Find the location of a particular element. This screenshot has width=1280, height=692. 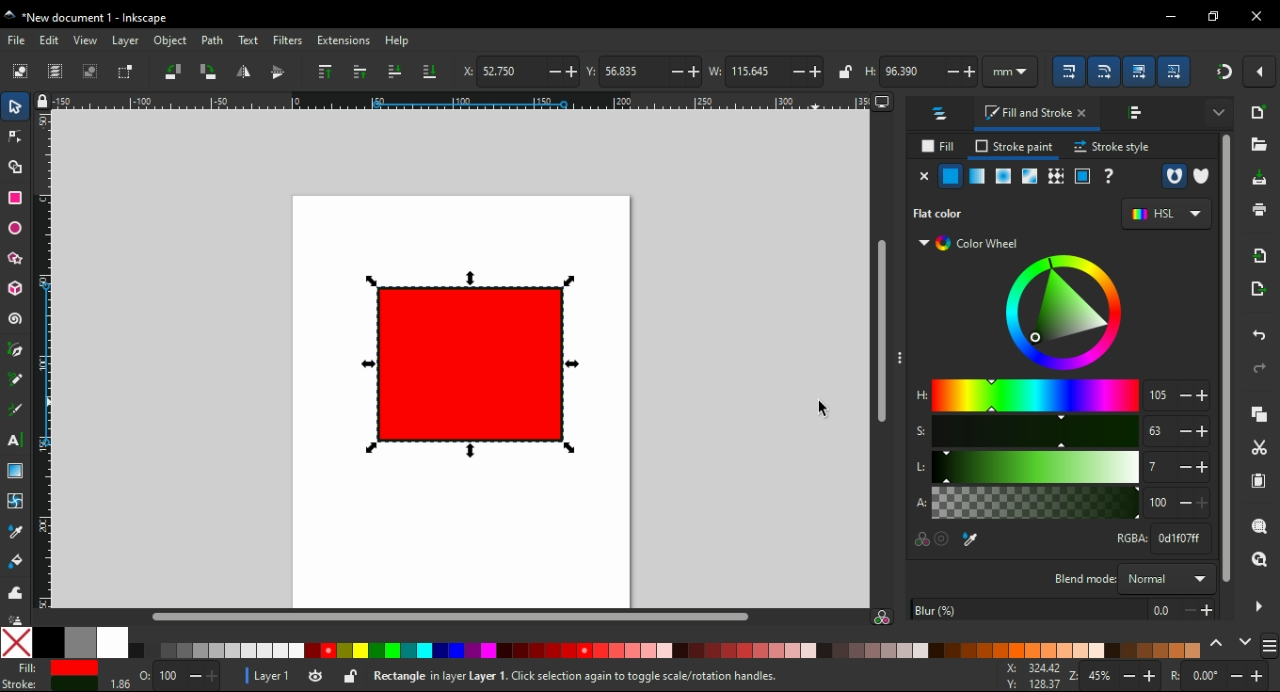

spiral tool is located at coordinates (16, 317).